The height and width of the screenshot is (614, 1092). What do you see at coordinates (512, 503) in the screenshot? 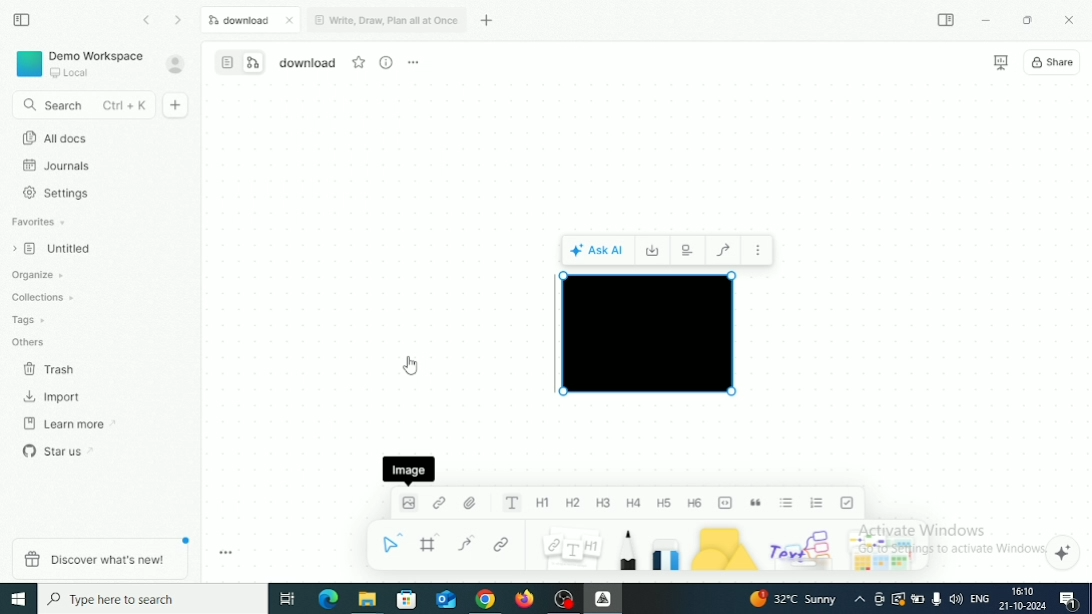
I see `Text` at bounding box center [512, 503].